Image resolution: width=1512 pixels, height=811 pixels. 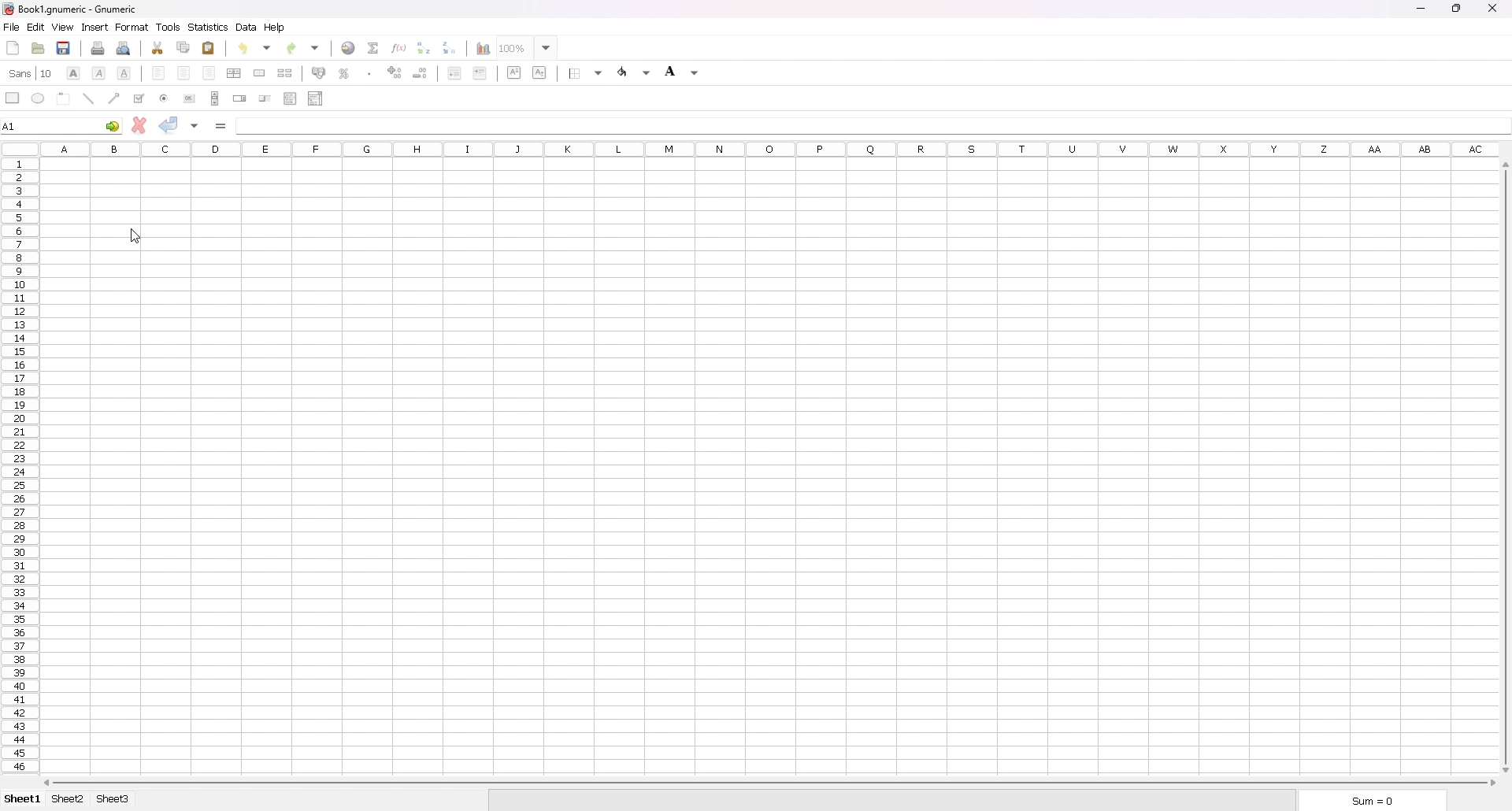 I want to click on italic, so click(x=99, y=73).